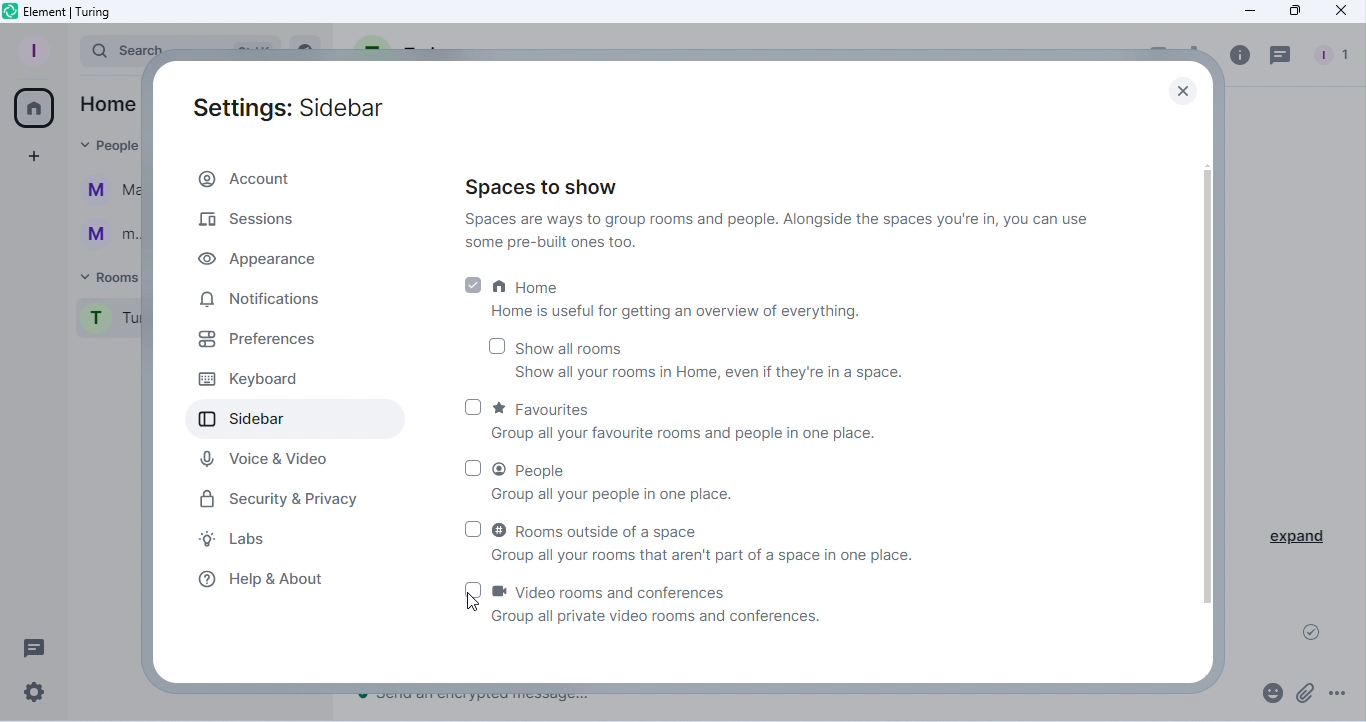  Describe the element at coordinates (30, 158) in the screenshot. I see `Create a space` at that location.